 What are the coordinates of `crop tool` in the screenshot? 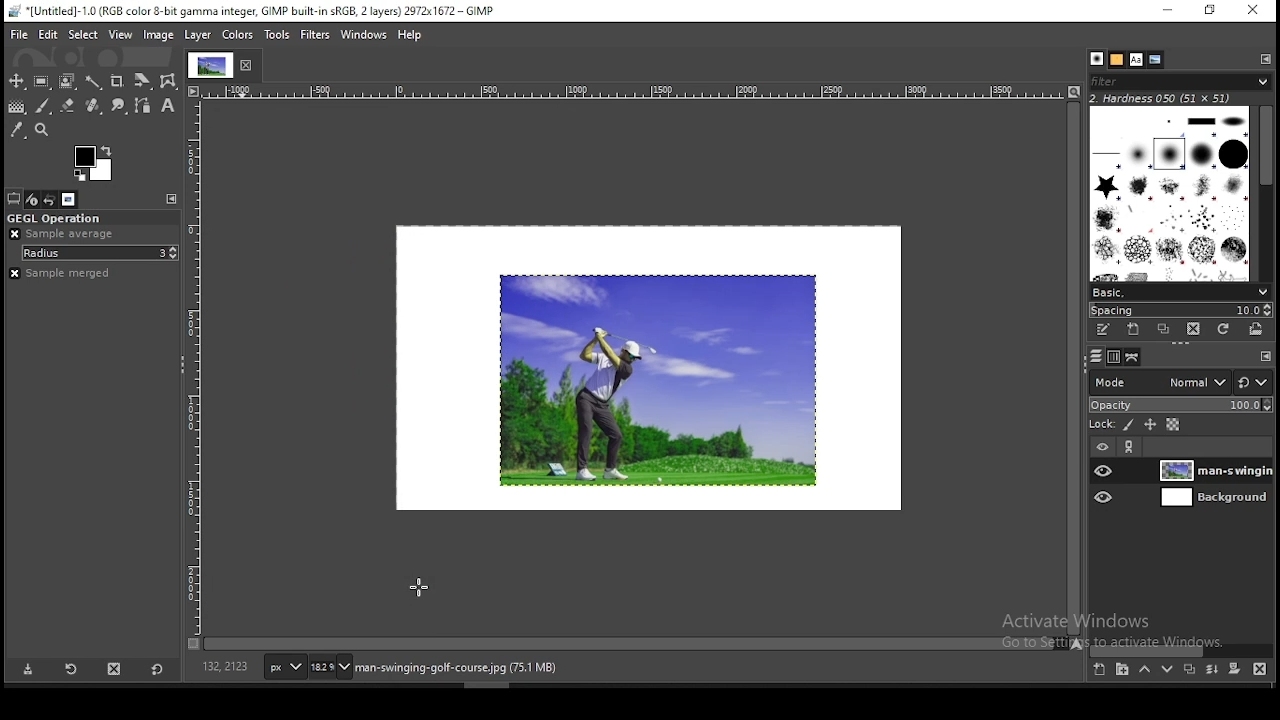 It's located at (118, 82).